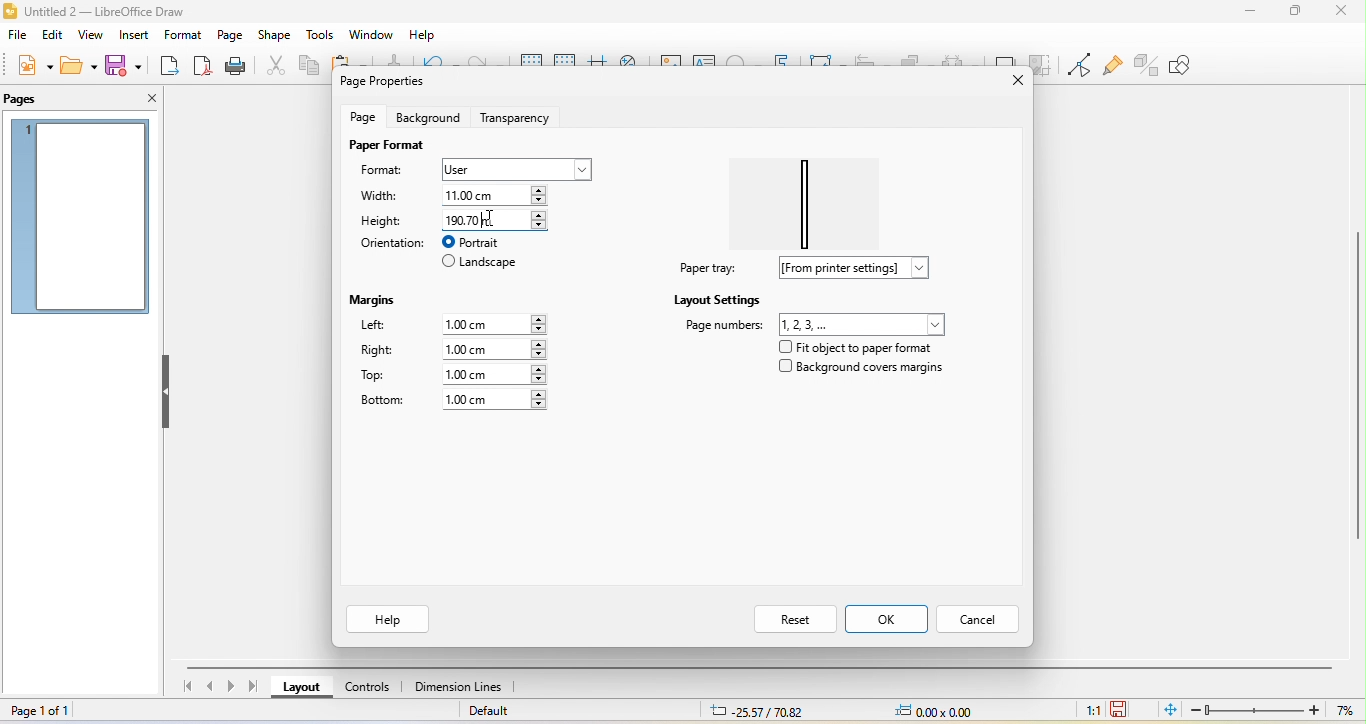  What do you see at coordinates (793, 618) in the screenshot?
I see `reset` at bounding box center [793, 618].